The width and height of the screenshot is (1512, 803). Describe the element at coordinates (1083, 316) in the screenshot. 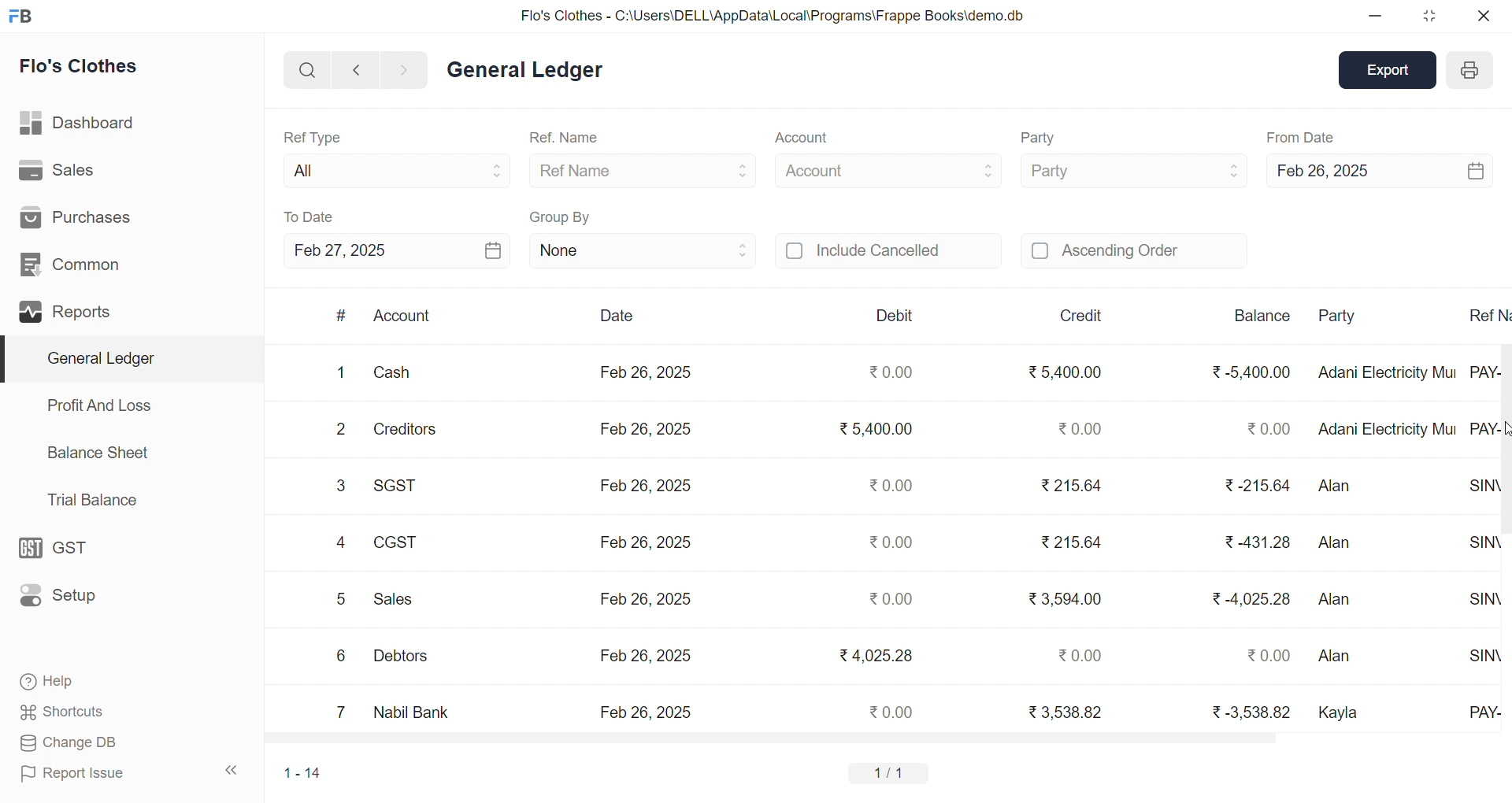

I see `Credit` at that location.